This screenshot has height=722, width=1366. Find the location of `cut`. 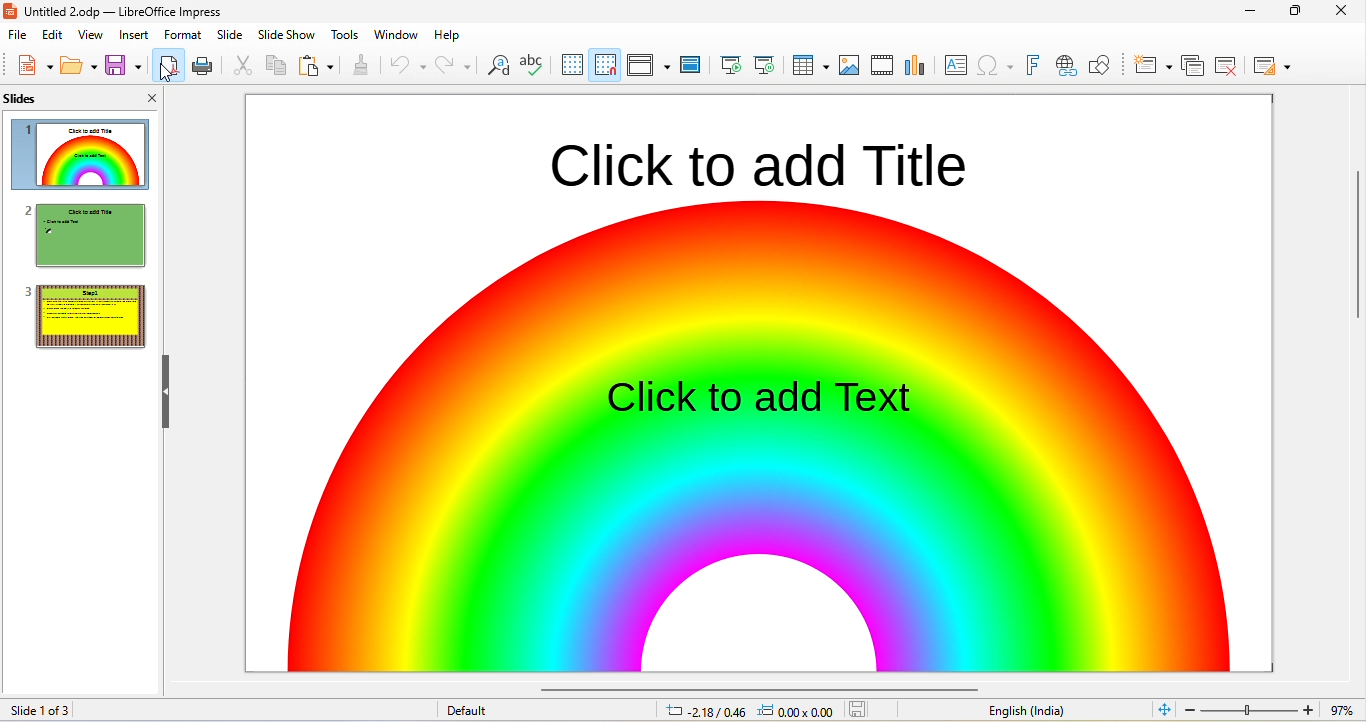

cut is located at coordinates (242, 64).